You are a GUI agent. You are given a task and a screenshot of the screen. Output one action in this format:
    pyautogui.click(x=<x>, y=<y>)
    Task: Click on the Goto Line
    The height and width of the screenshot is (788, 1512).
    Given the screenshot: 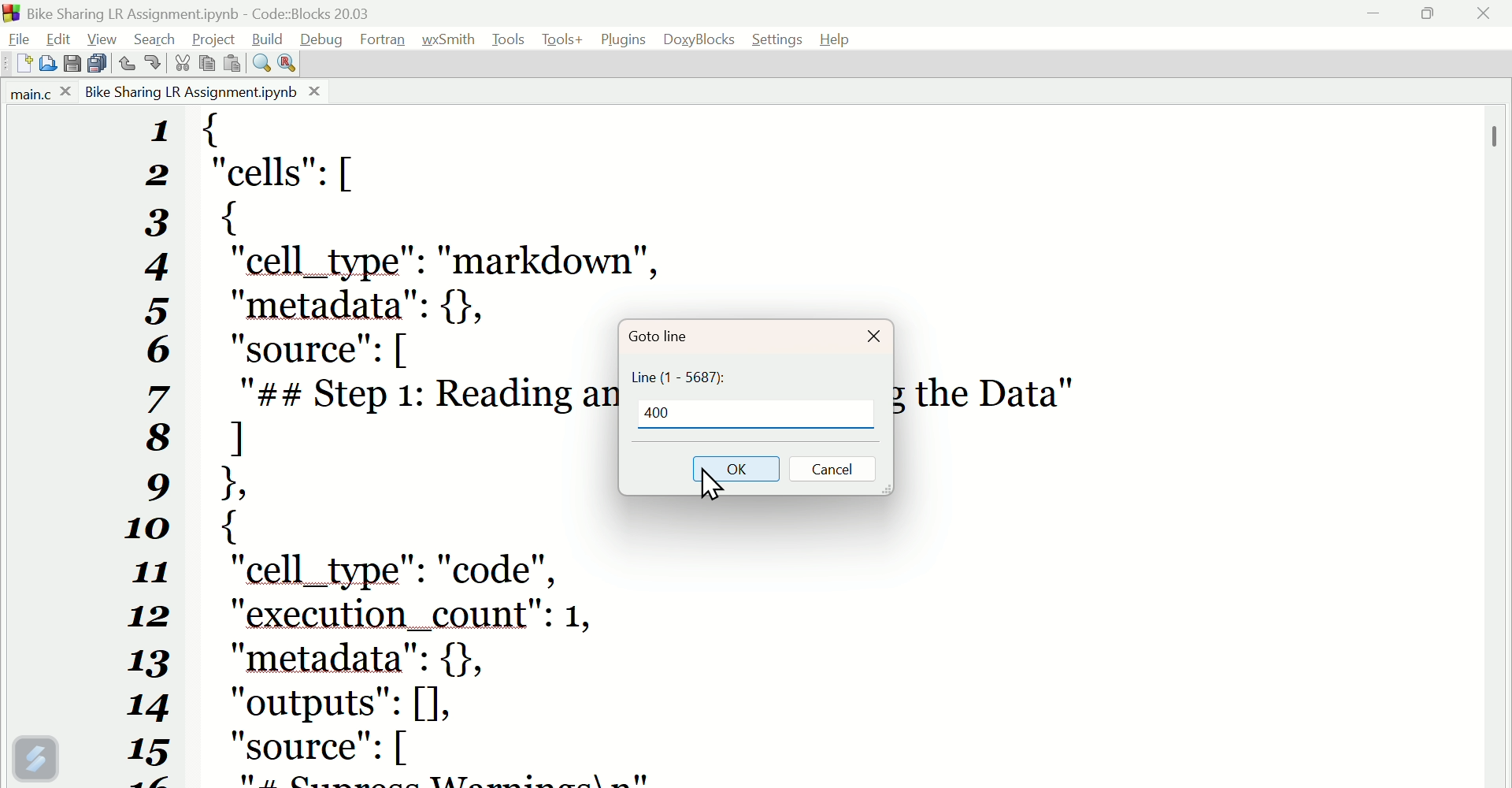 What is the action you would take?
    pyautogui.click(x=654, y=333)
    